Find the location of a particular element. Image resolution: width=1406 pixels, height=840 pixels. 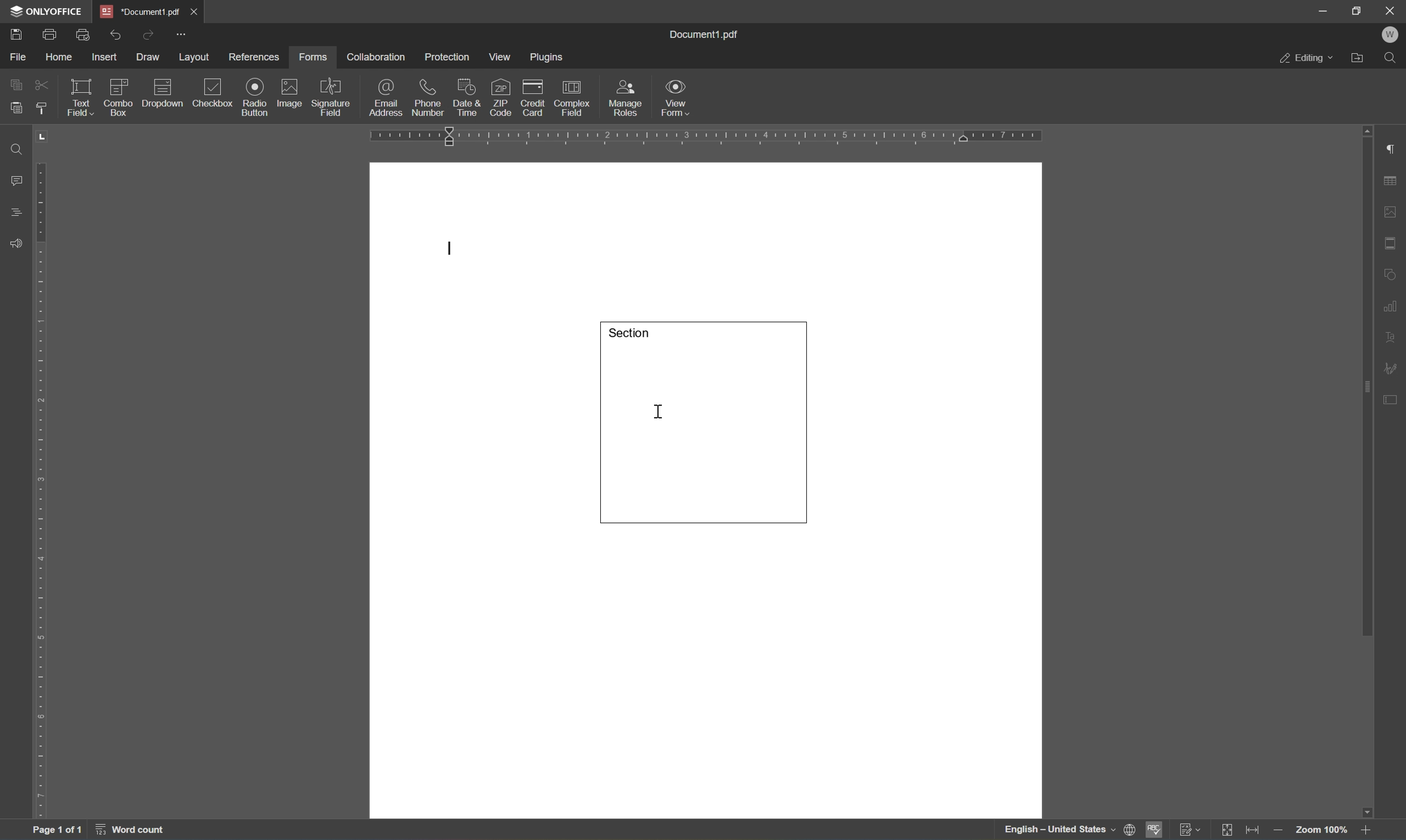

close is located at coordinates (195, 11).